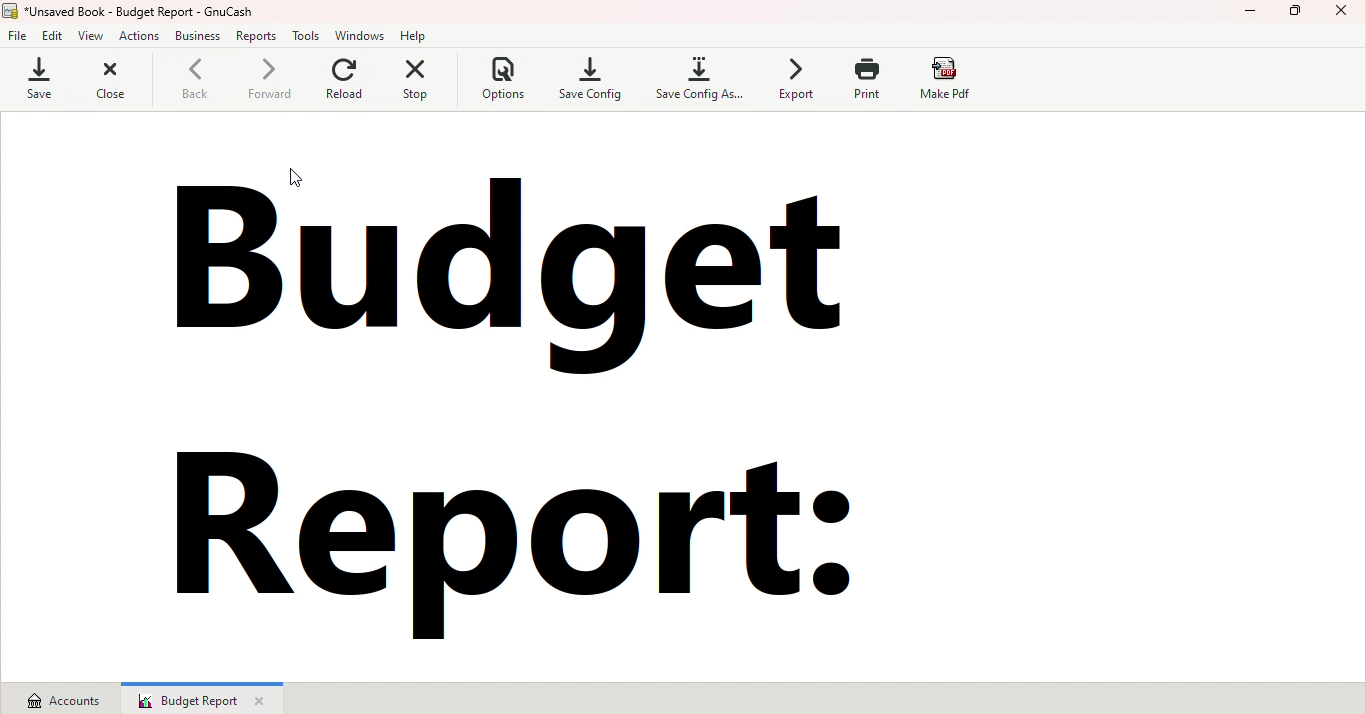  What do you see at coordinates (1346, 16) in the screenshot?
I see `Close` at bounding box center [1346, 16].